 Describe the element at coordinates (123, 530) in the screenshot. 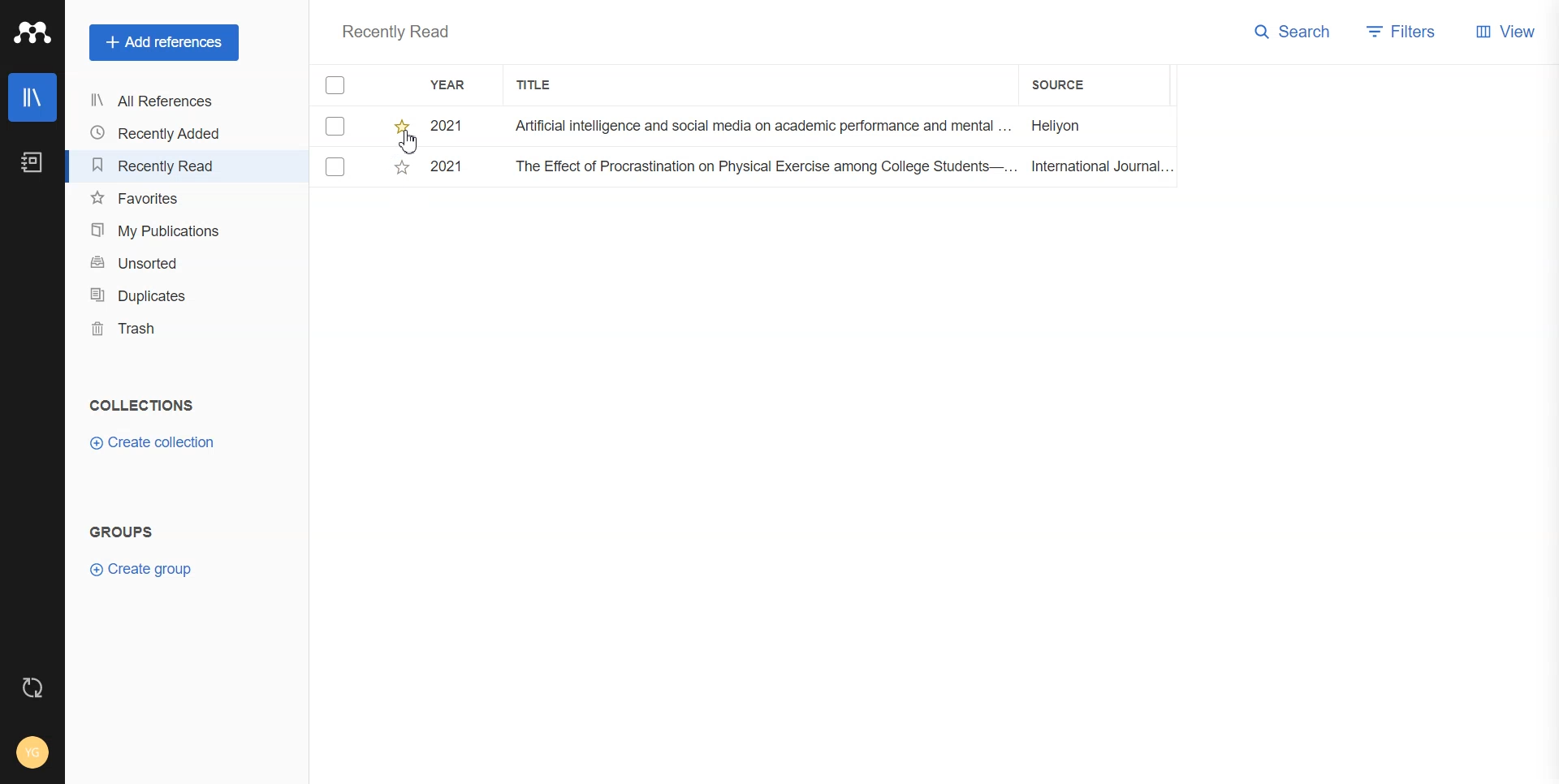

I see `Text` at that location.